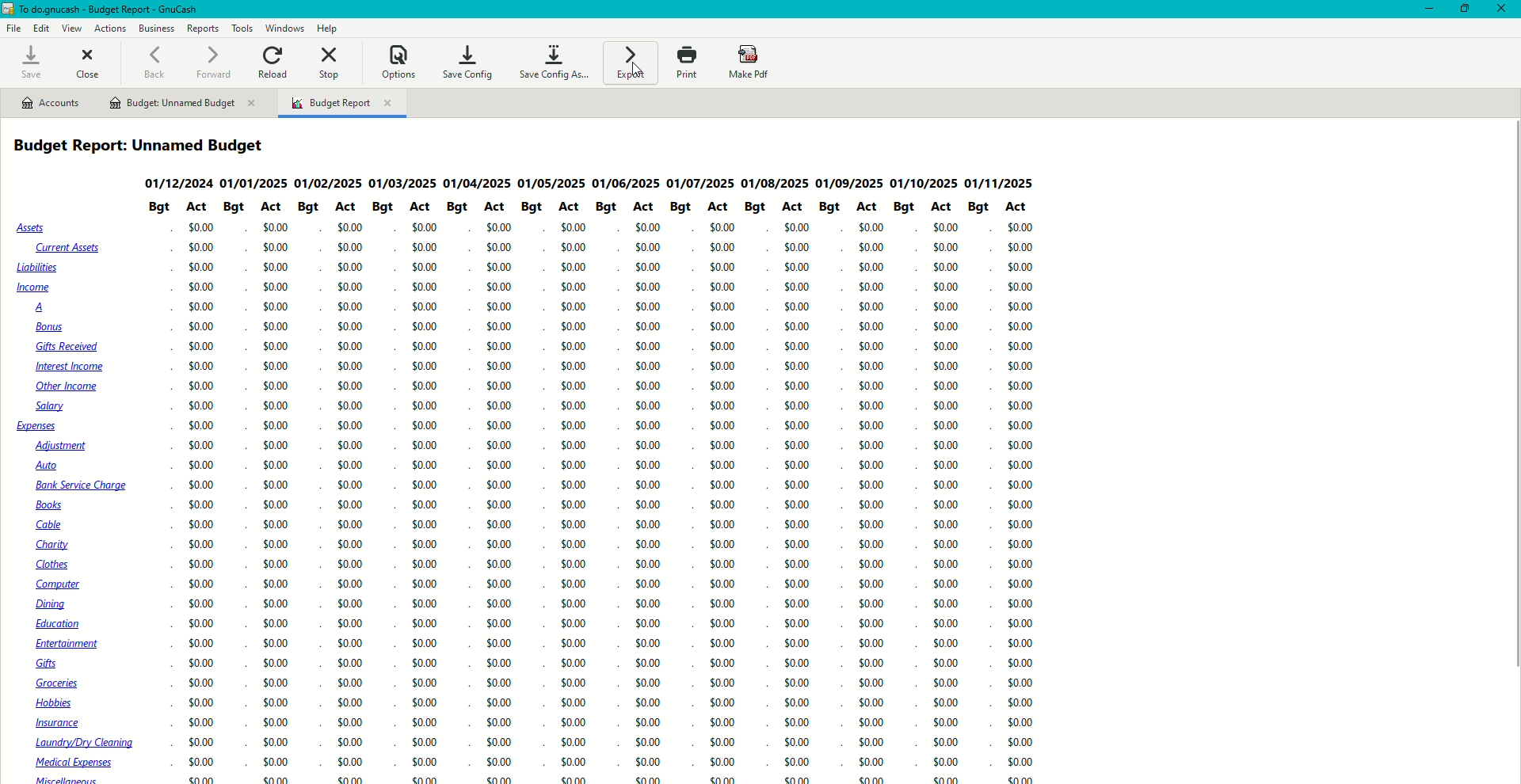  What do you see at coordinates (240, 28) in the screenshot?
I see `Tools` at bounding box center [240, 28].